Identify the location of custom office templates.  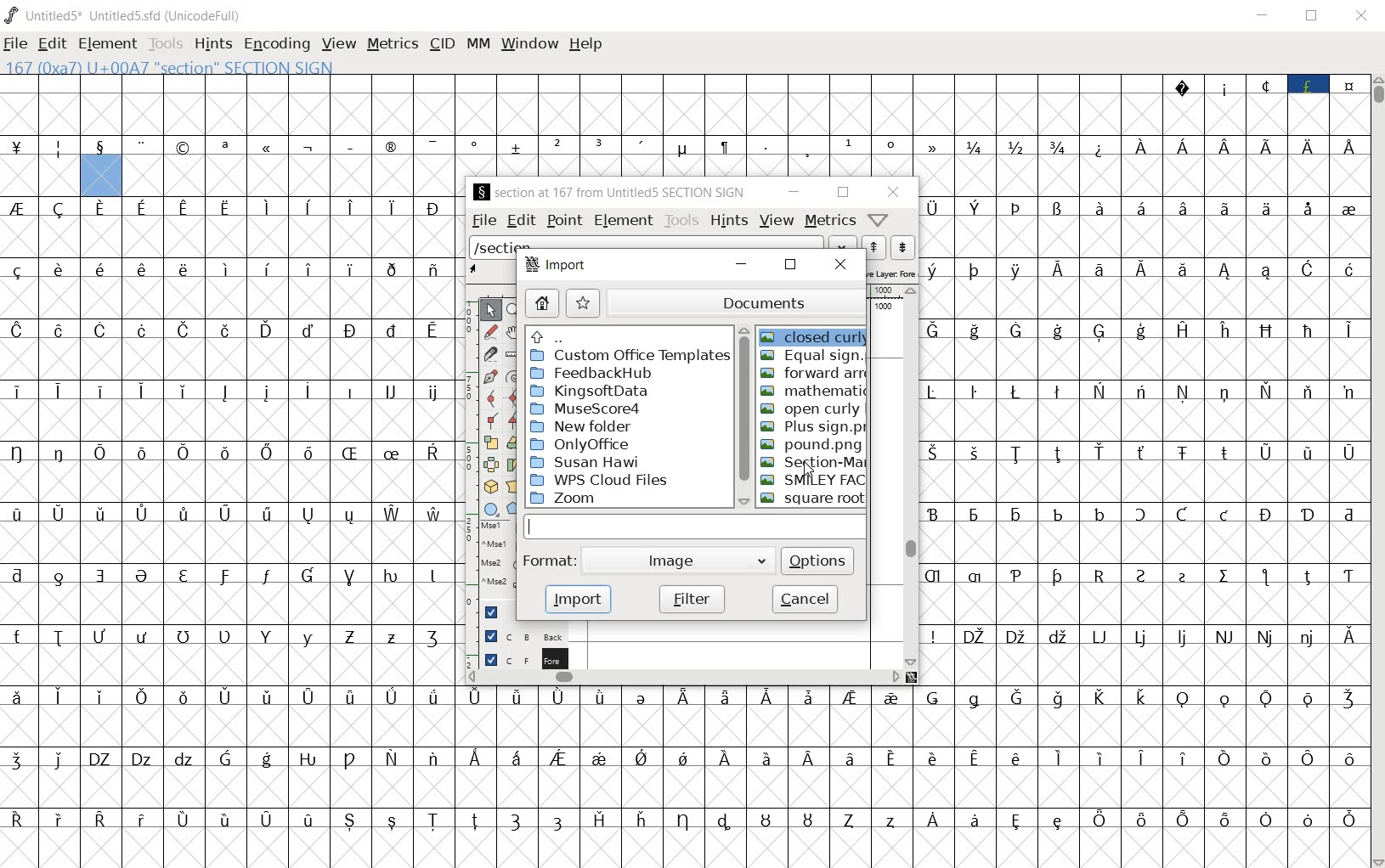
(630, 357).